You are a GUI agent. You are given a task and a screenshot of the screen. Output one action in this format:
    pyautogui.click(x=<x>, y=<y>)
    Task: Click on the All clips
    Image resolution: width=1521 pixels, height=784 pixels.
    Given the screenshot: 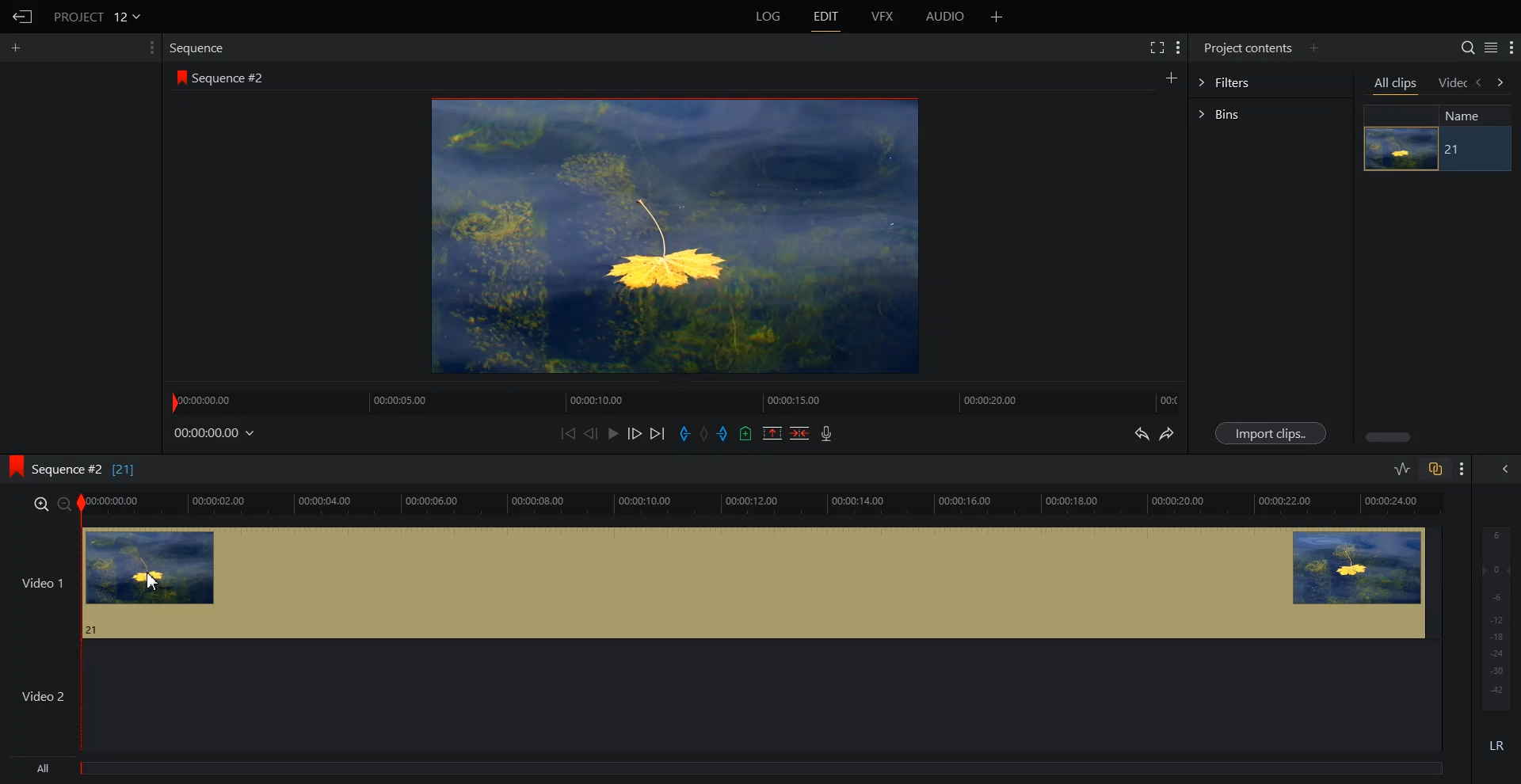 What is the action you would take?
    pyautogui.click(x=1395, y=84)
    